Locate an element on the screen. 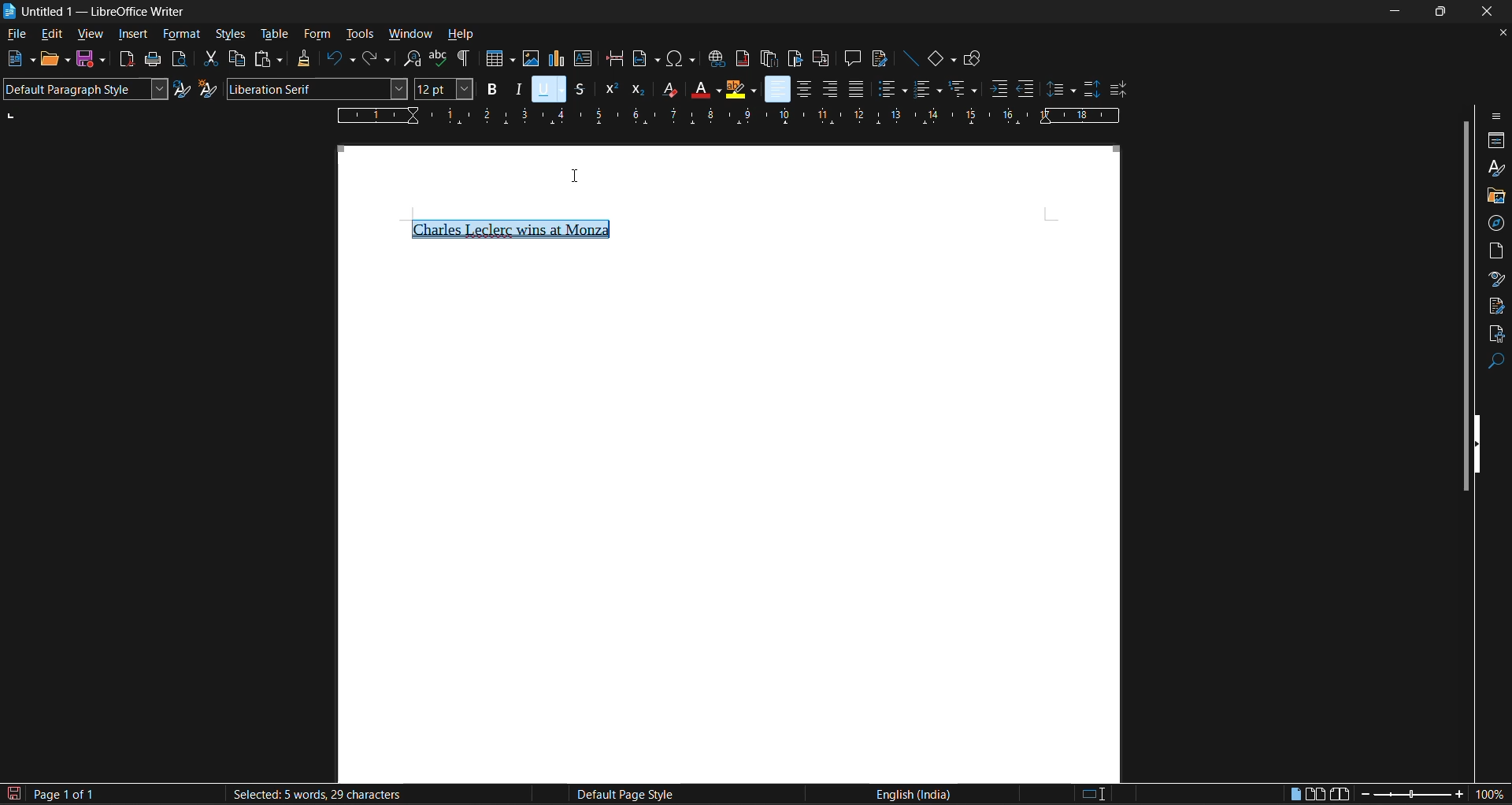 The image size is (1512, 805). zoom out is located at coordinates (1361, 796).